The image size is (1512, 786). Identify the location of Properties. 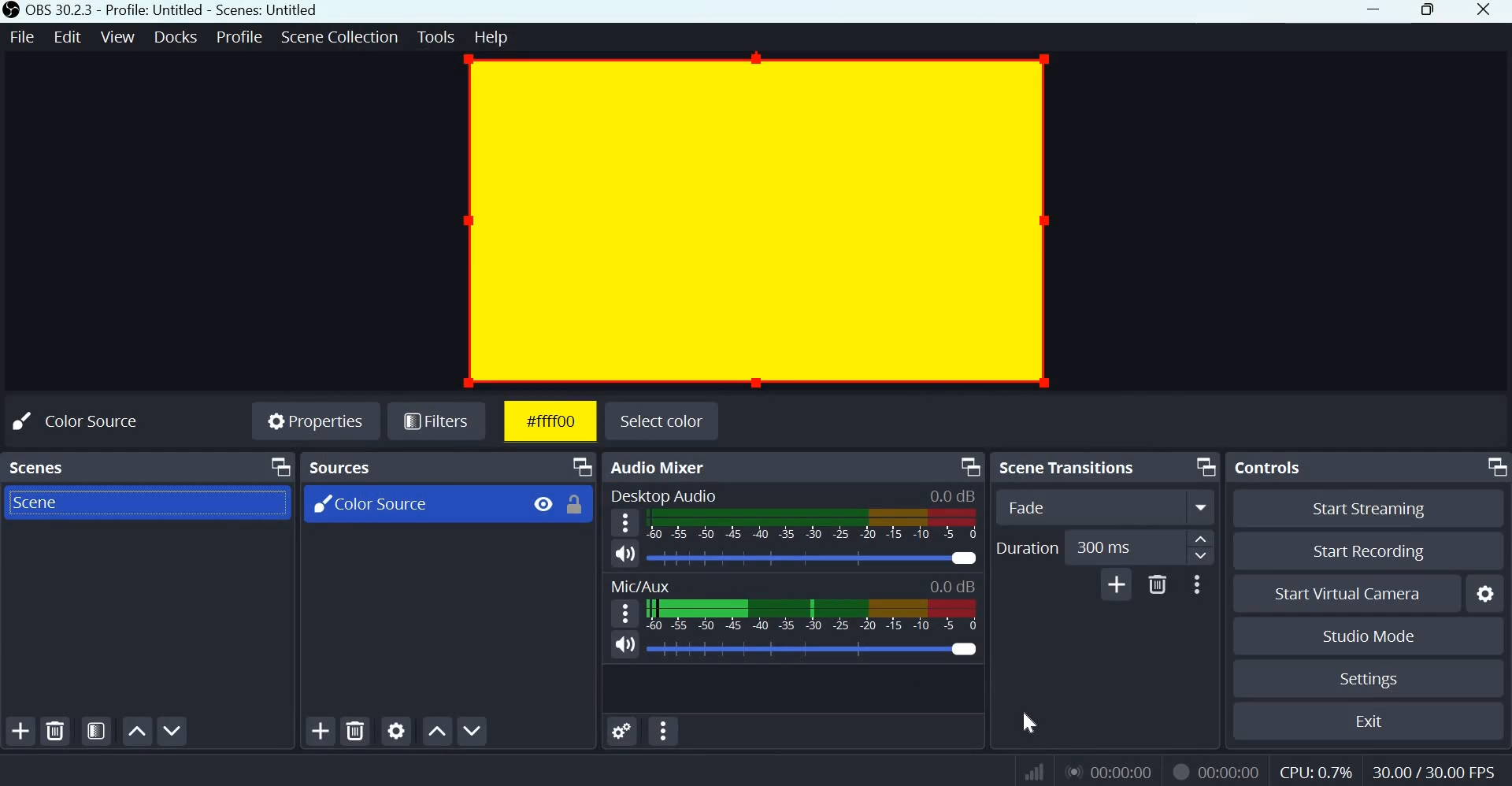
(314, 423).